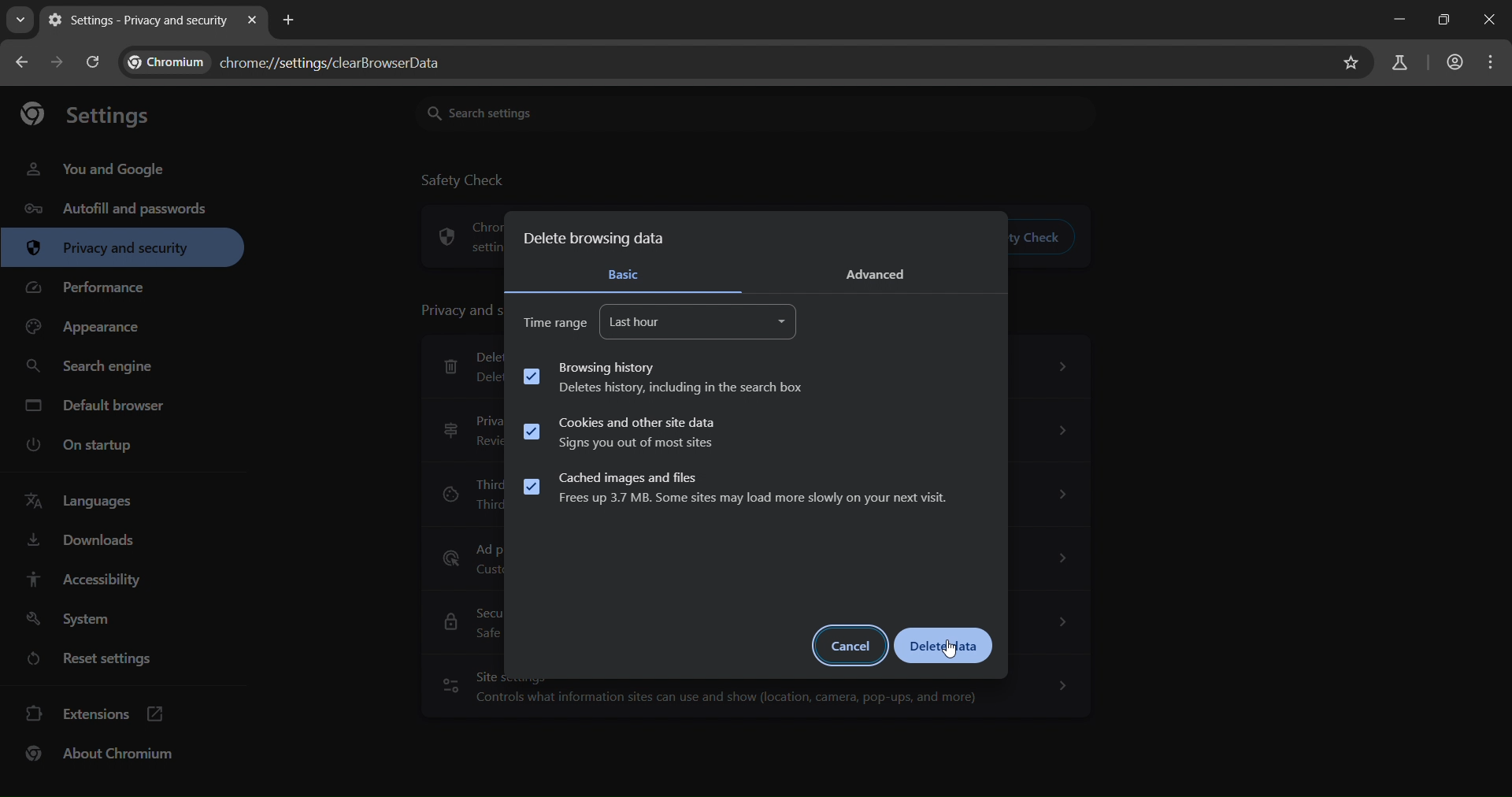  What do you see at coordinates (72, 617) in the screenshot?
I see `system` at bounding box center [72, 617].